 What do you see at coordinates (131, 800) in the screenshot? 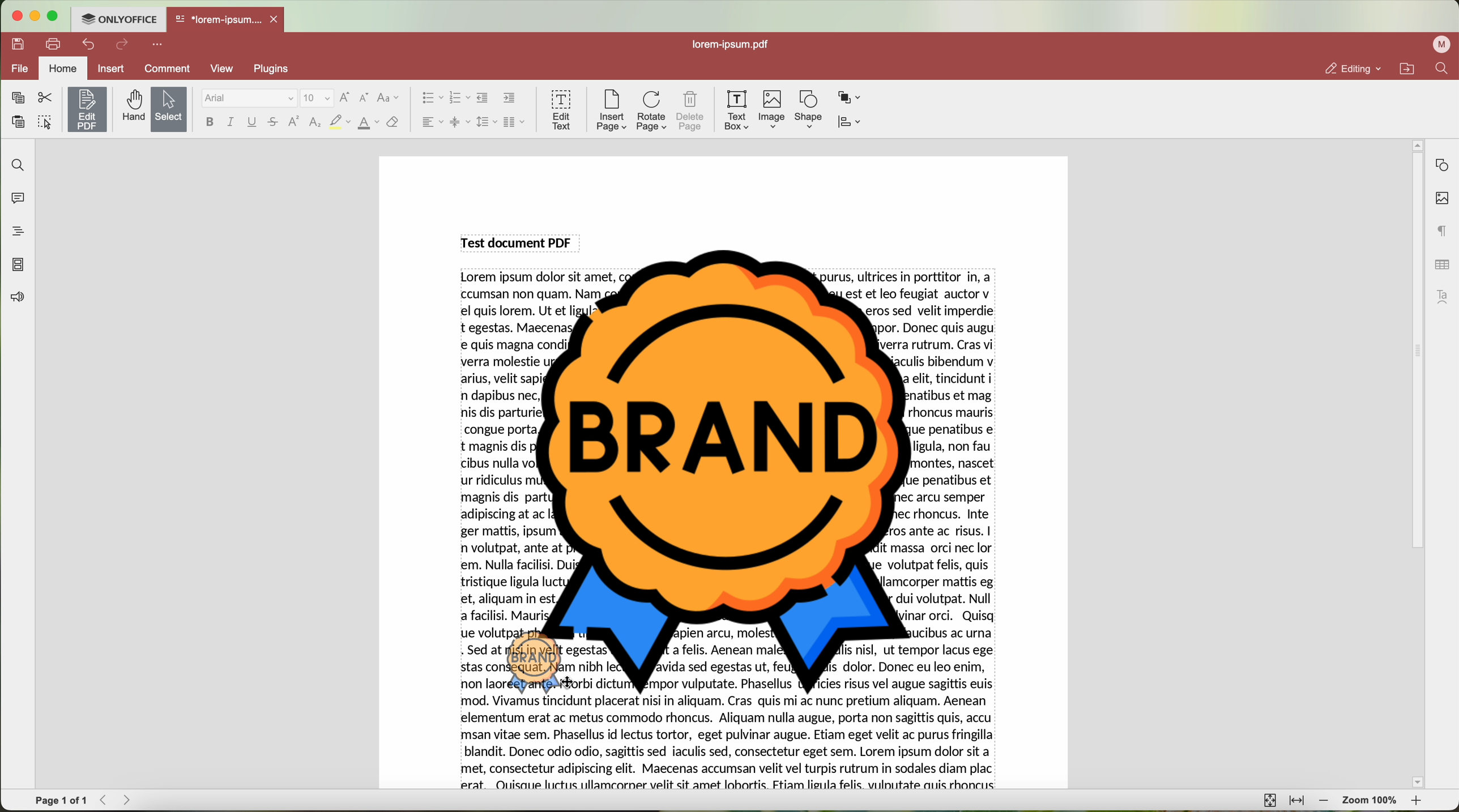
I see `Forward` at bounding box center [131, 800].